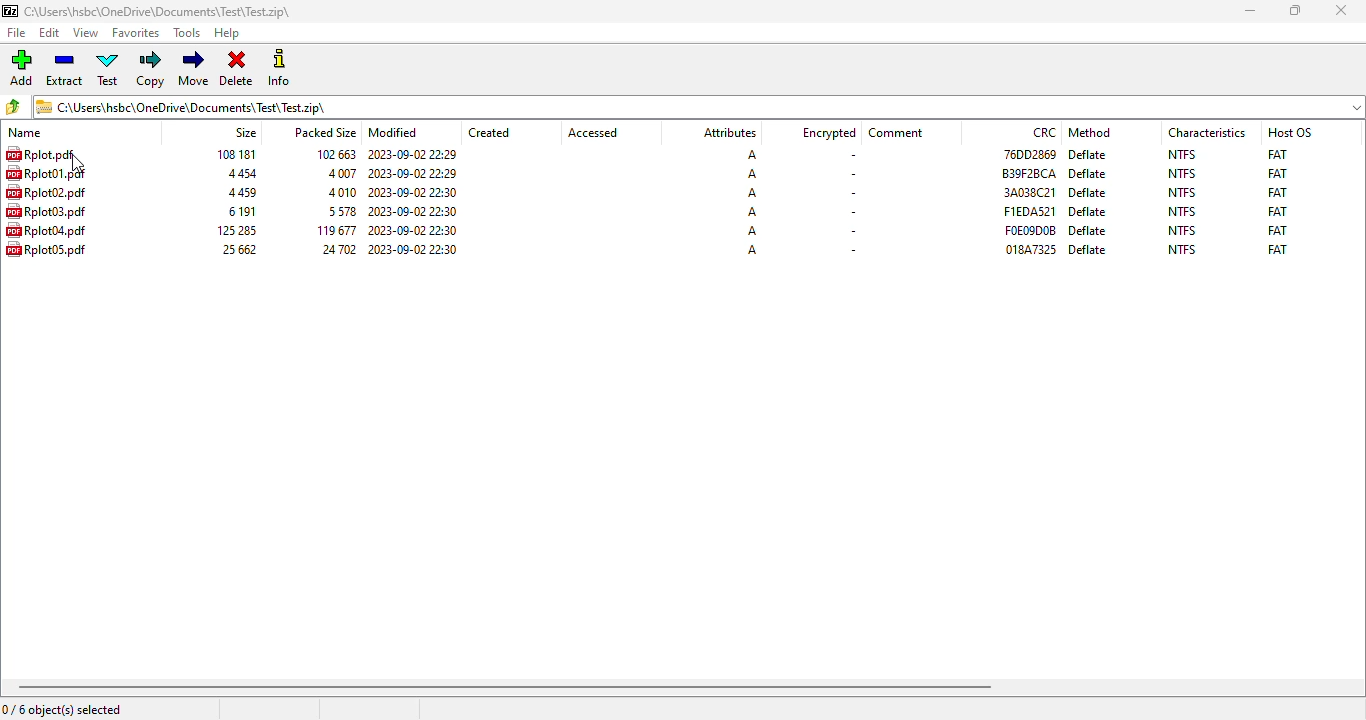 The width and height of the screenshot is (1366, 720). I want to click on close, so click(1340, 10).